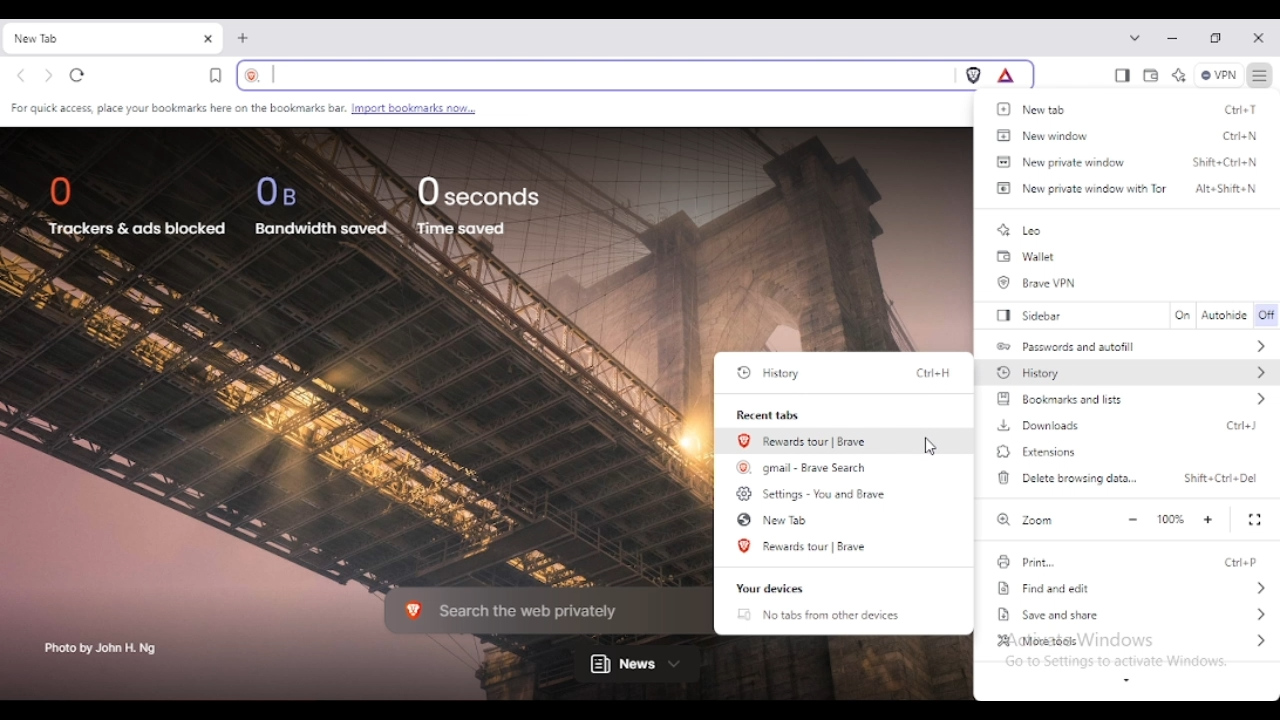  I want to click on gmail - brave search, so click(804, 466).